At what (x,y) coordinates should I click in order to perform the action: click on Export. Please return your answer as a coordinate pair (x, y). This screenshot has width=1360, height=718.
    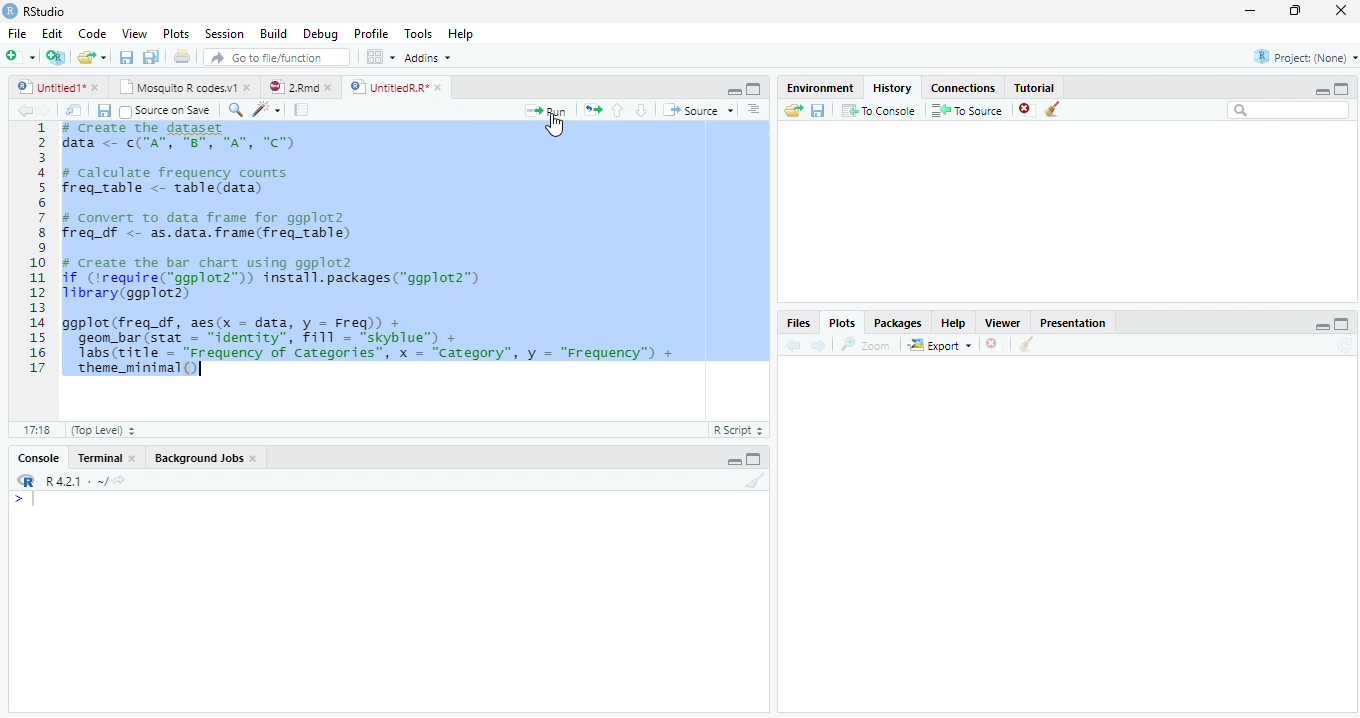
    Looking at the image, I should click on (938, 345).